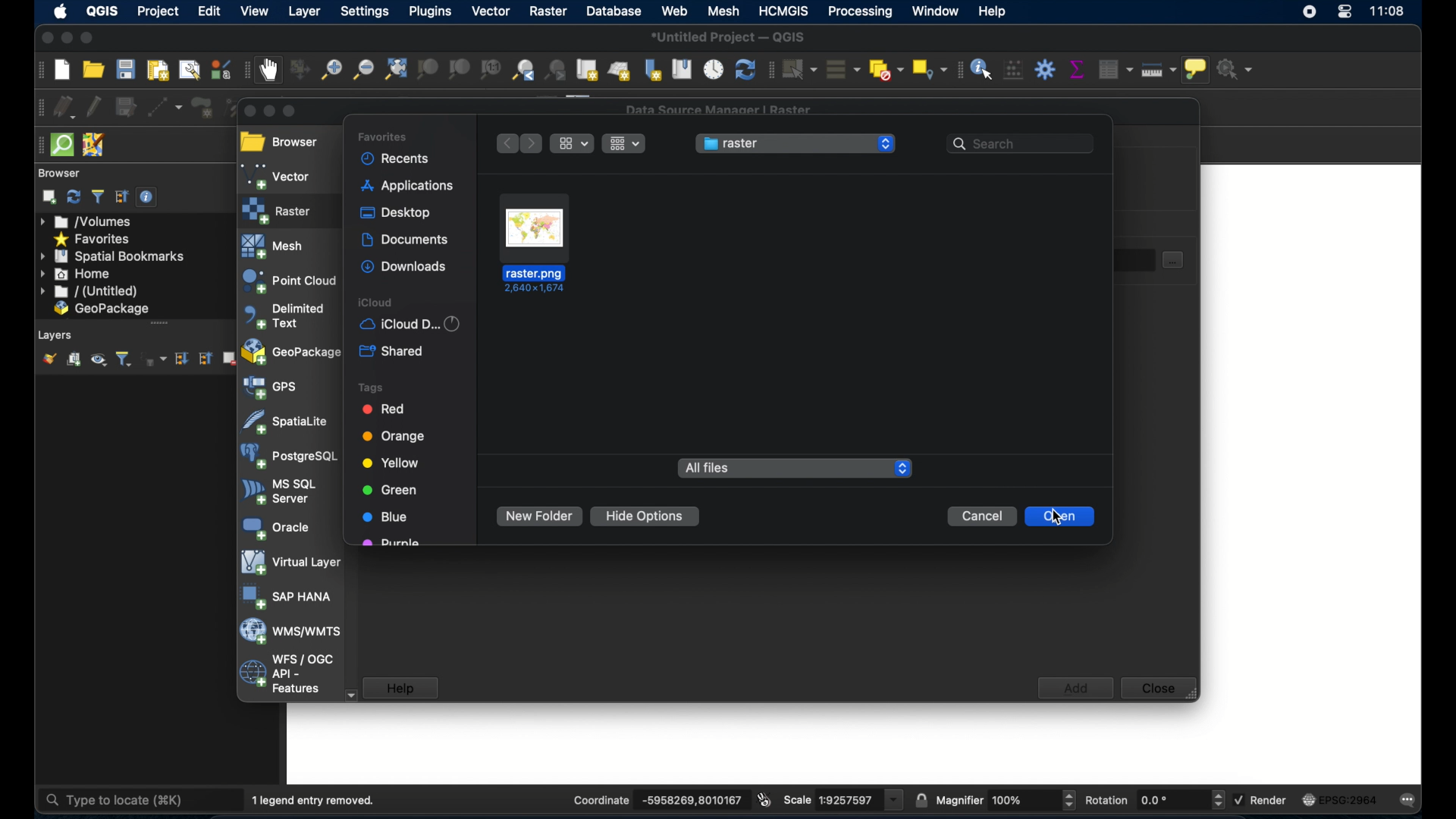 The height and width of the screenshot is (819, 1456). Describe the element at coordinates (74, 197) in the screenshot. I see `refresh` at that location.